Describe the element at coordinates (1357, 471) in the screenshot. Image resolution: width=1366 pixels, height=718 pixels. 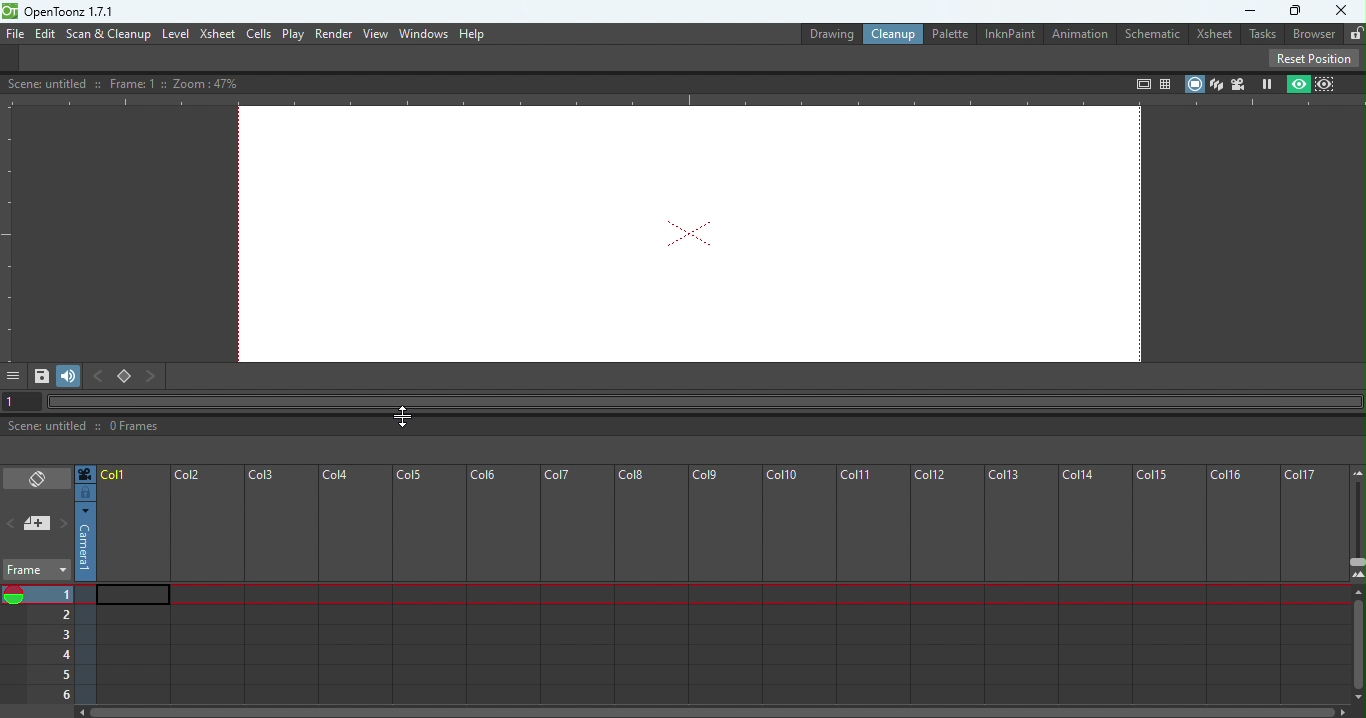
I see `Zoom out` at that location.